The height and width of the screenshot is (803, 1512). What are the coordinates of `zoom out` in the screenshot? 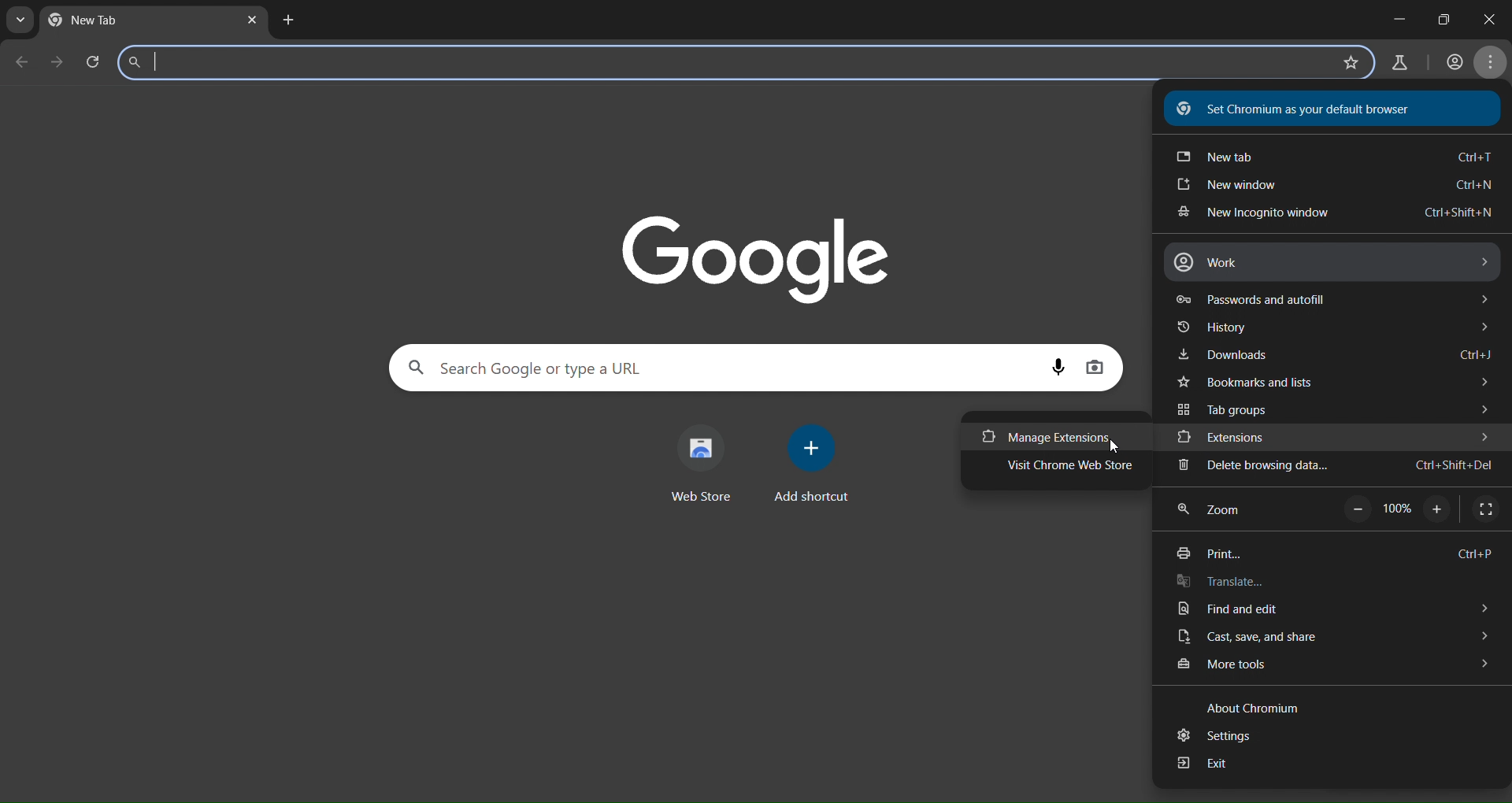 It's located at (1362, 509).